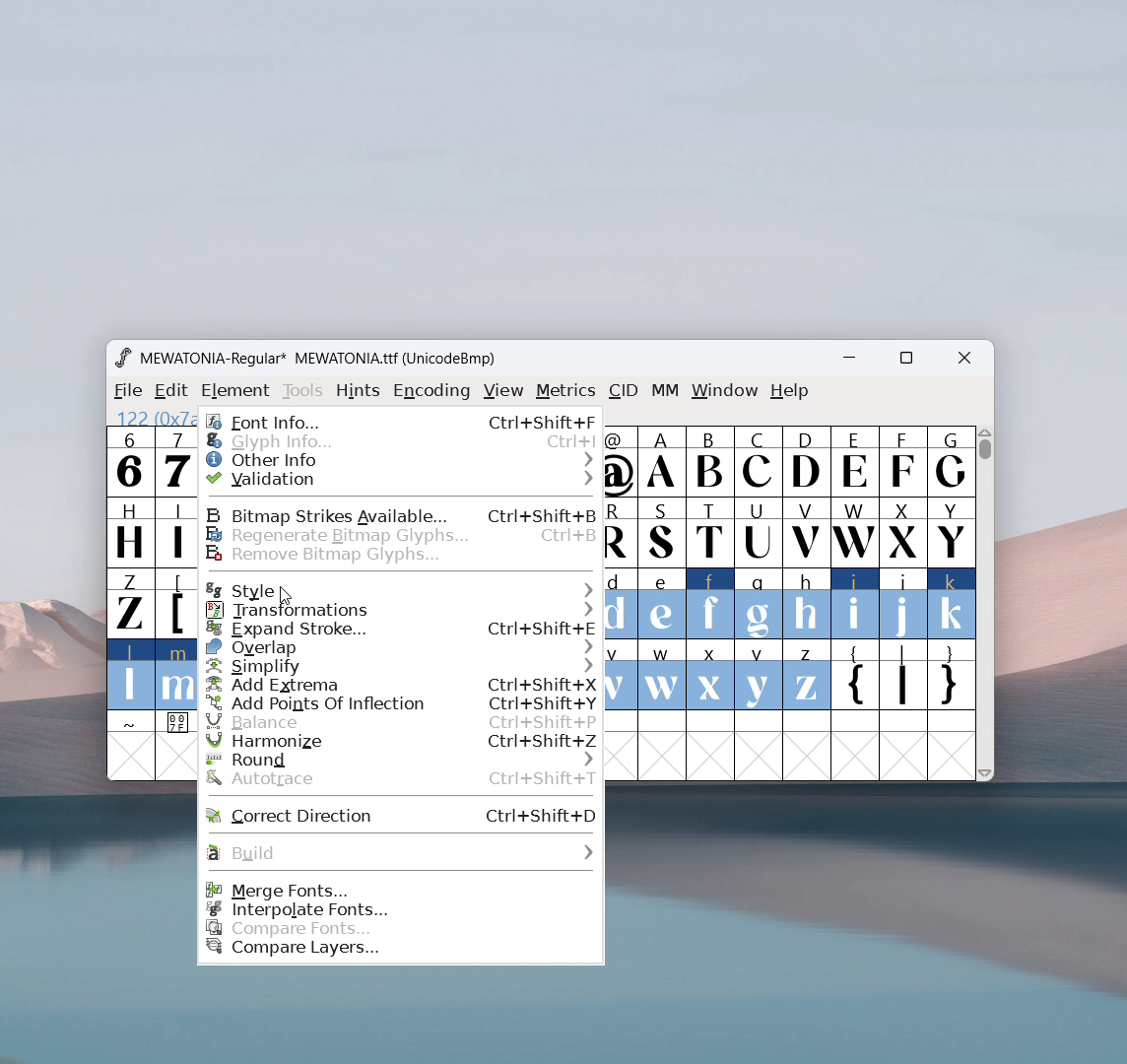 Image resolution: width=1127 pixels, height=1064 pixels. I want to click on MEWATONIA-Regular* MEWATONIA.ttf (UnicodeBmp), so click(321, 359).